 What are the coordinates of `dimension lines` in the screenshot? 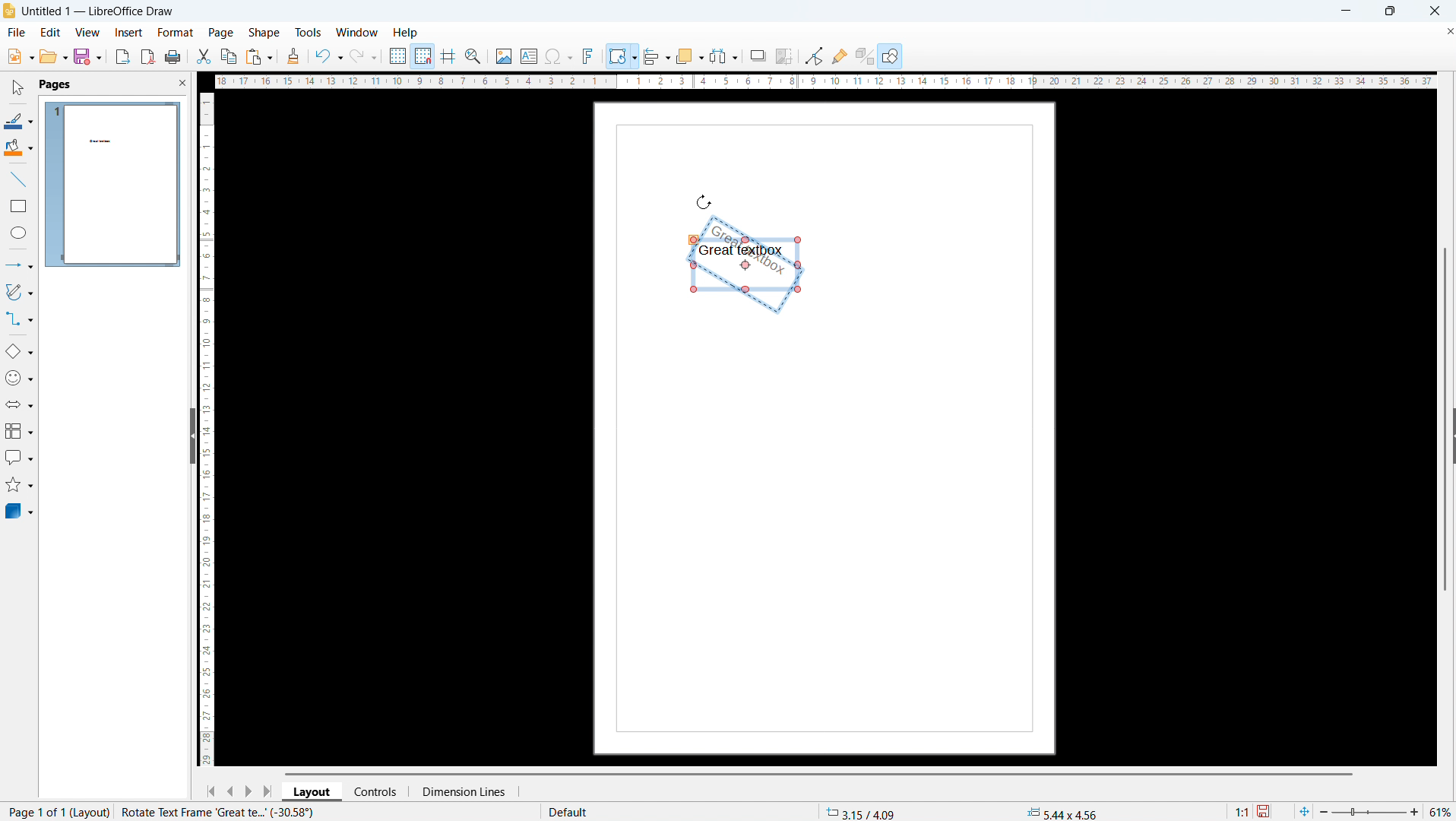 It's located at (462, 791).